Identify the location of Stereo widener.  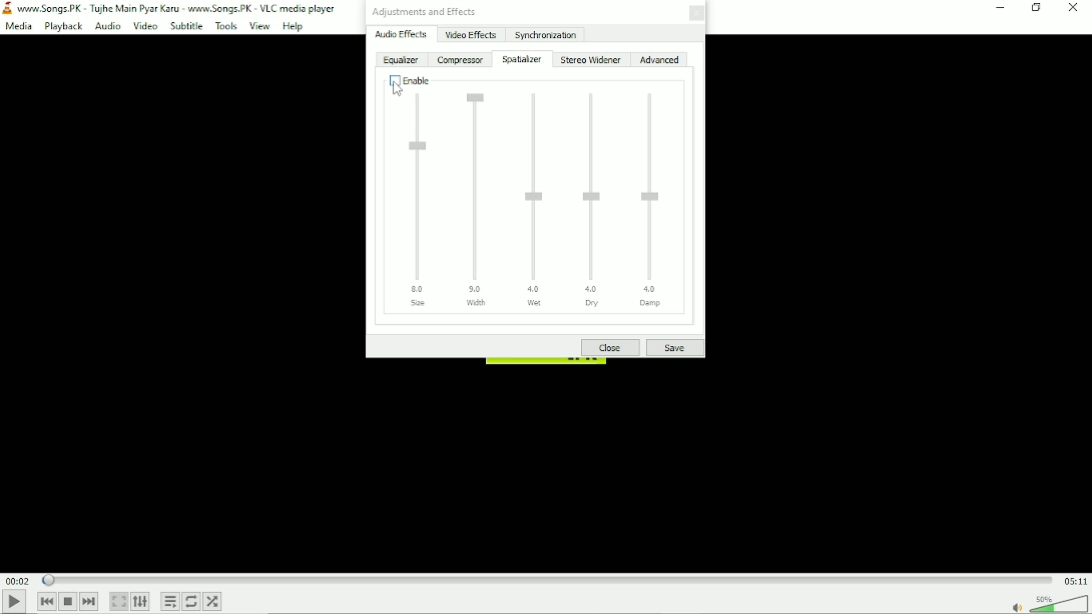
(591, 60).